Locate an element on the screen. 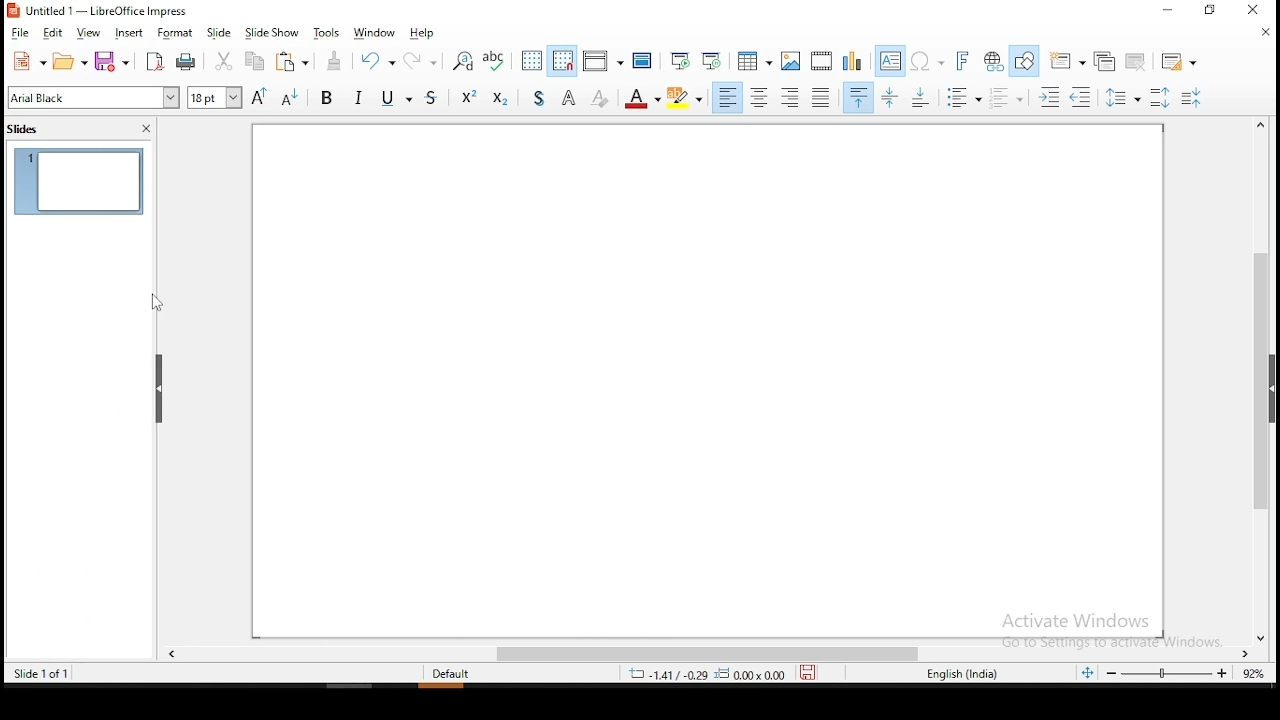 Image resolution: width=1280 pixels, height=720 pixels. center vertically is located at coordinates (891, 96).